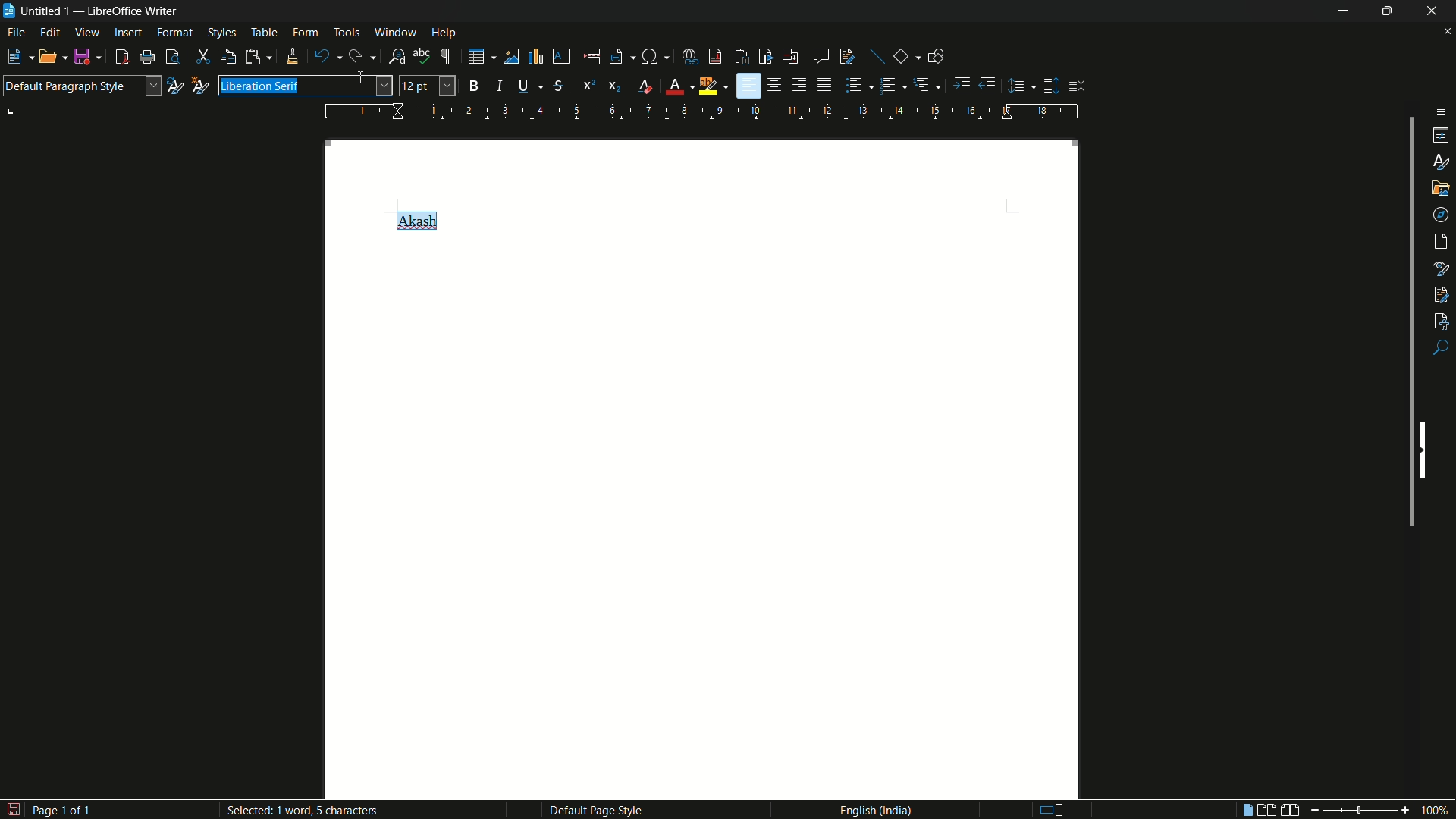 The height and width of the screenshot is (819, 1456). What do you see at coordinates (148, 58) in the screenshot?
I see `printer` at bounding box center [148, 58].